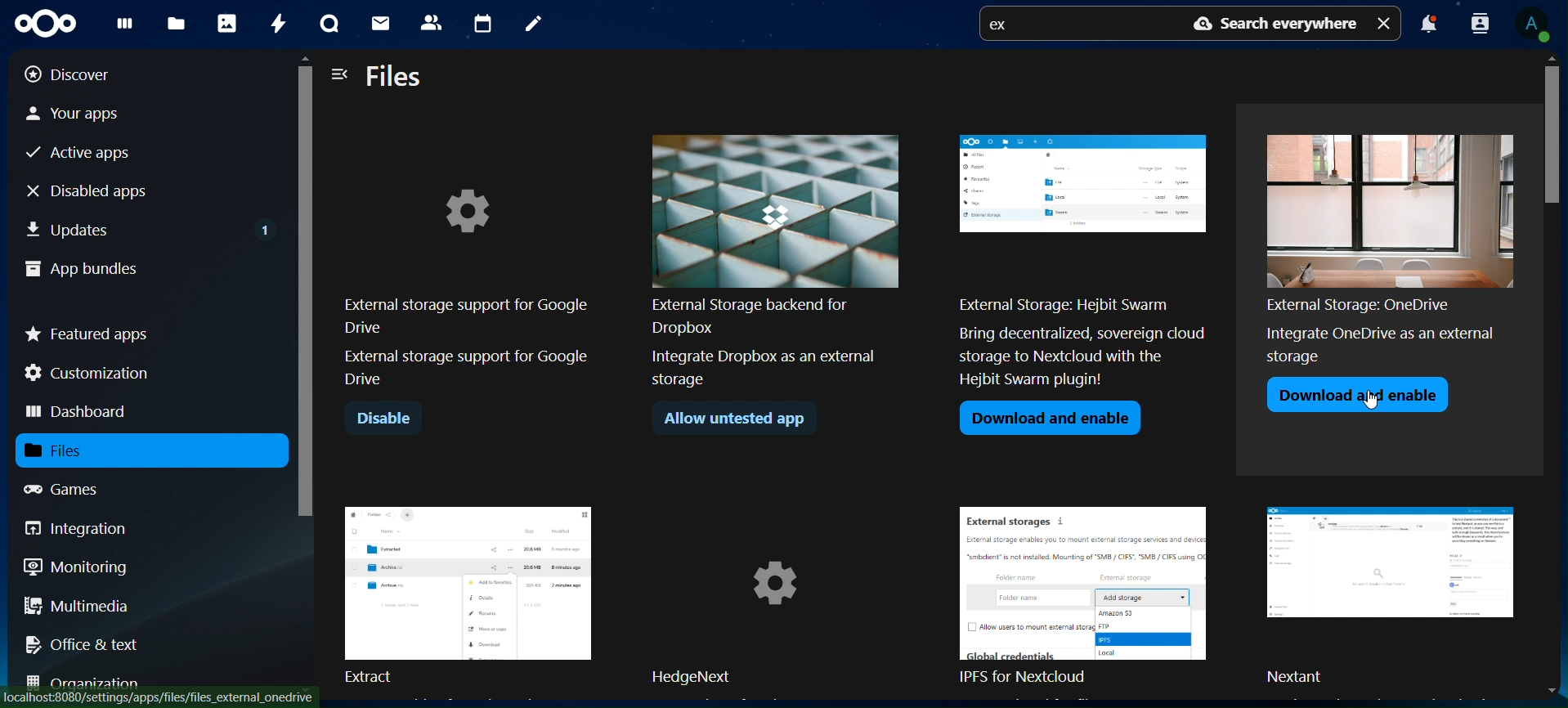  Describe the element at coordinates (1554, 376) in the screenshot. I see `scrollbar` at that location.